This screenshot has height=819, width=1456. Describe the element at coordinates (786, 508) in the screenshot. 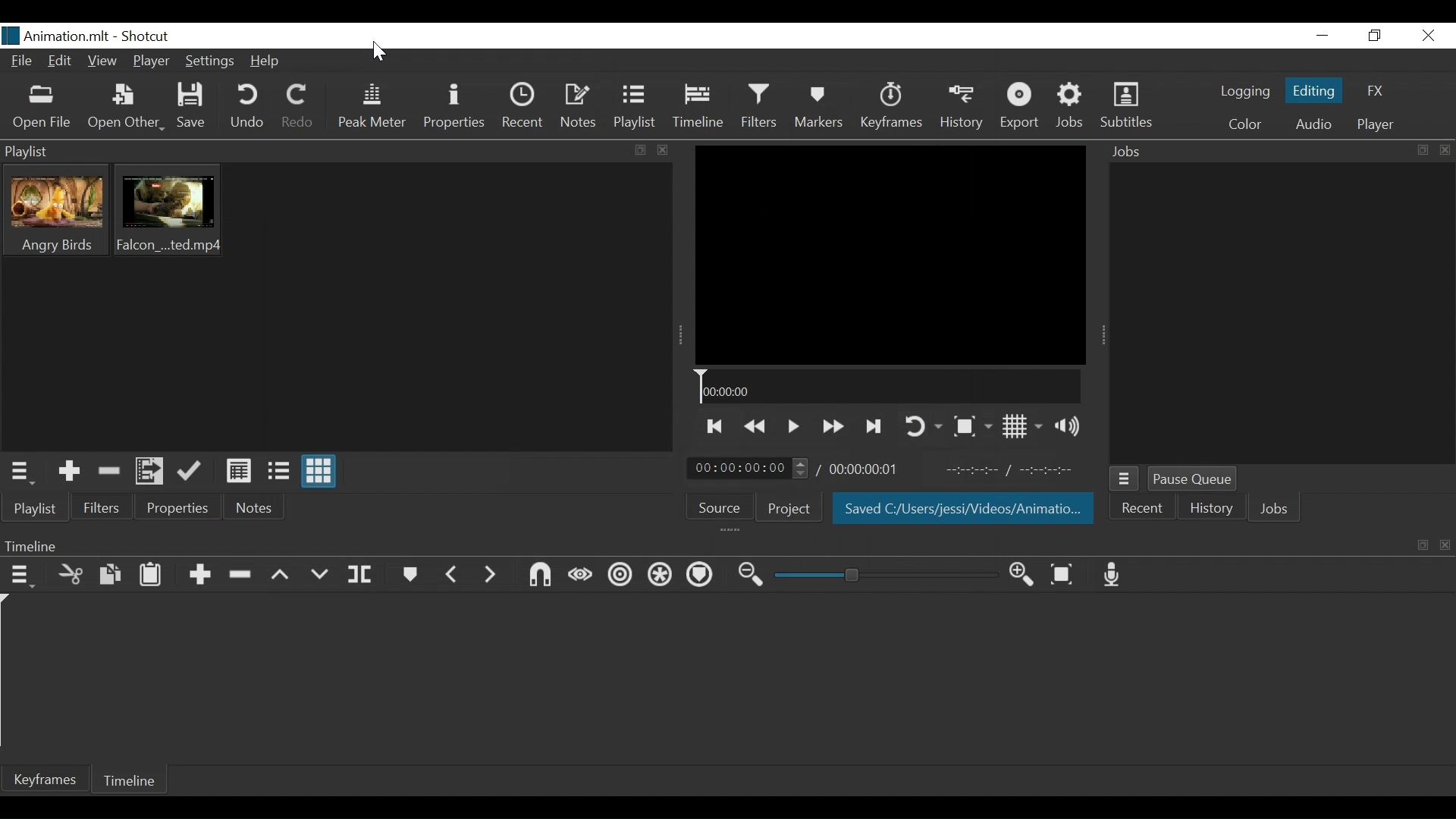

I see `Project` at that location.